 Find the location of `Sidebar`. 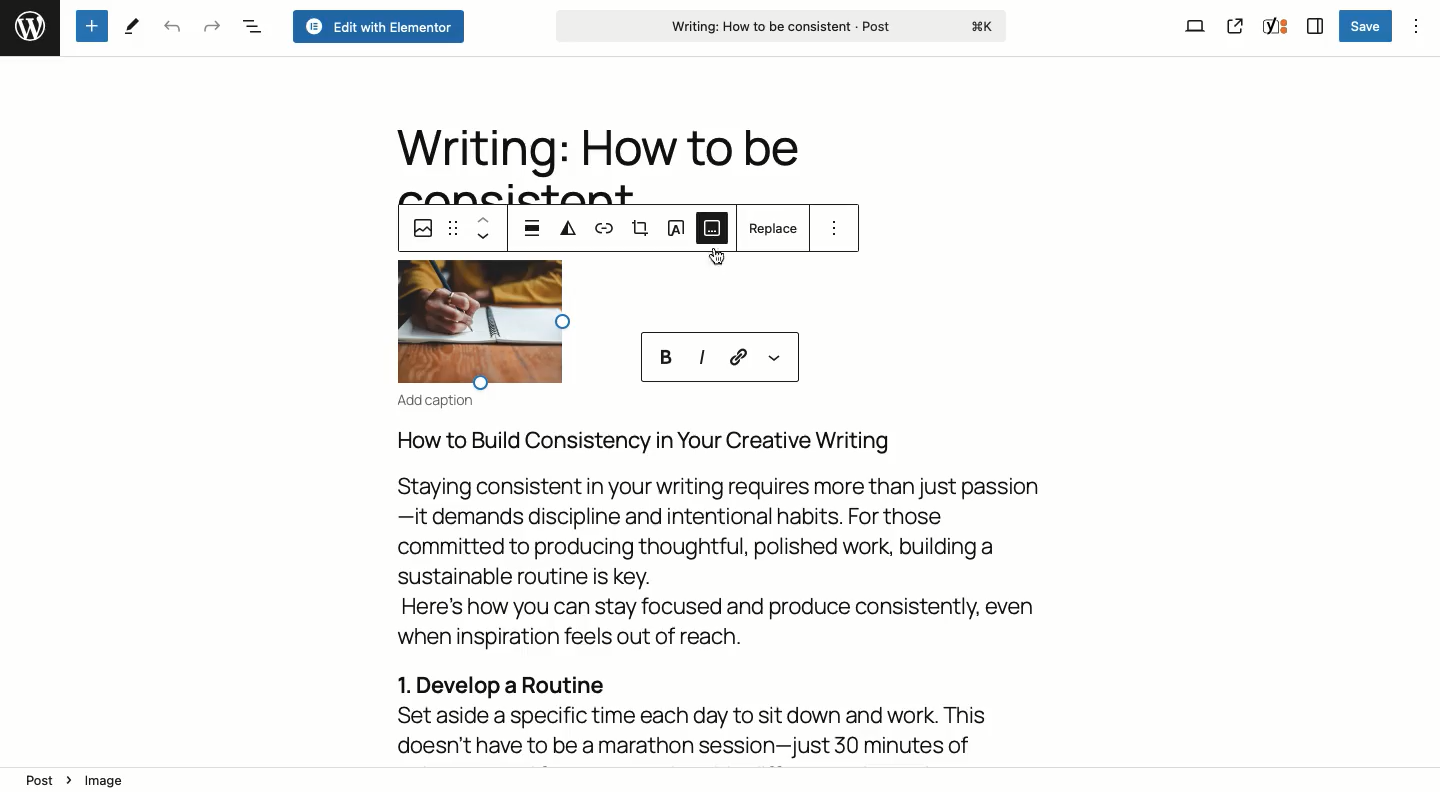

Sidebar is located at coordinates (1312, 27).